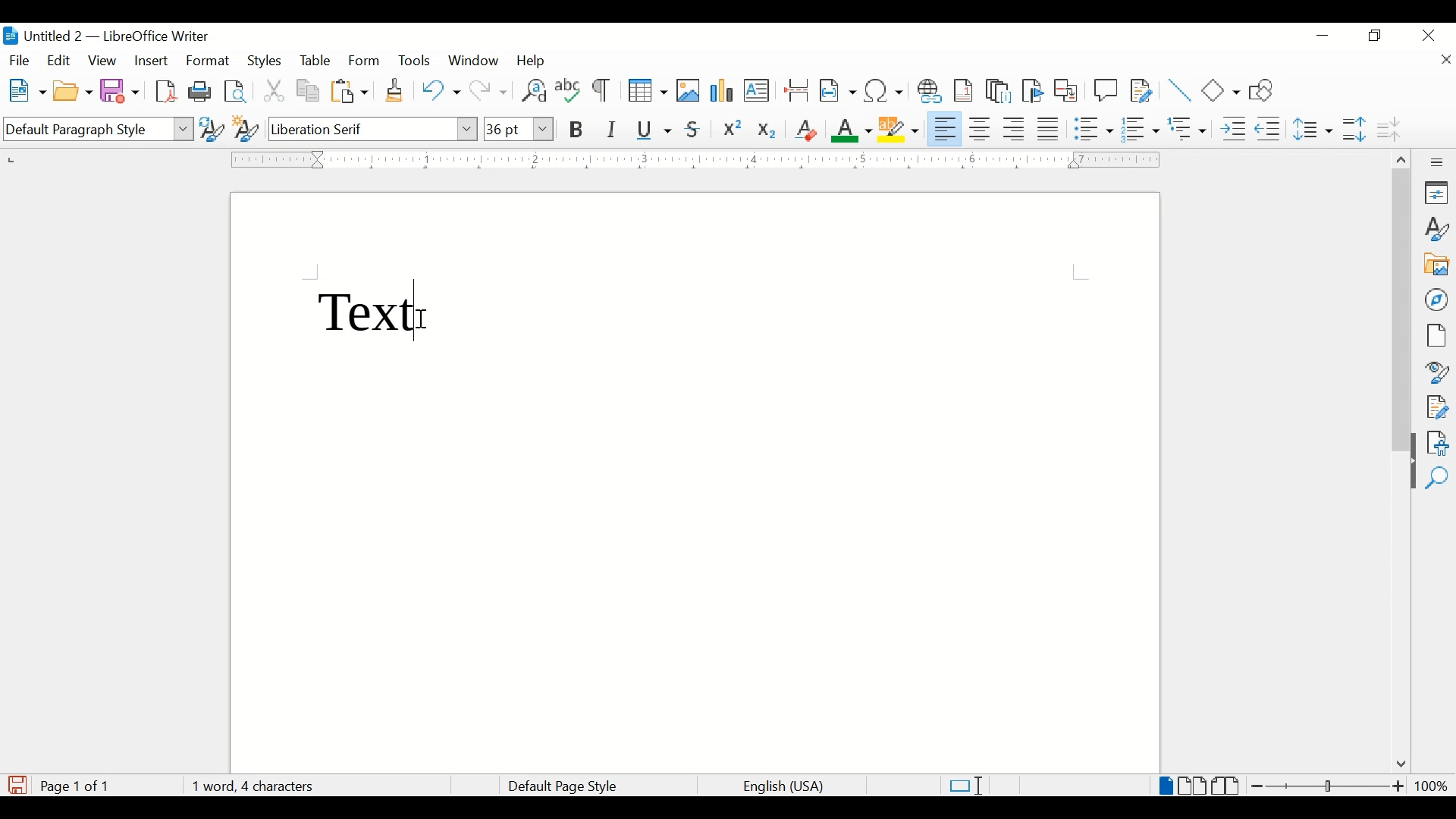 Image resolution: width=1456 pixels, height=819 pixels. What do you see at coordinates (1438, 370) in the screenshot?
I see `style inspector` at bounding box center [1438, 370].